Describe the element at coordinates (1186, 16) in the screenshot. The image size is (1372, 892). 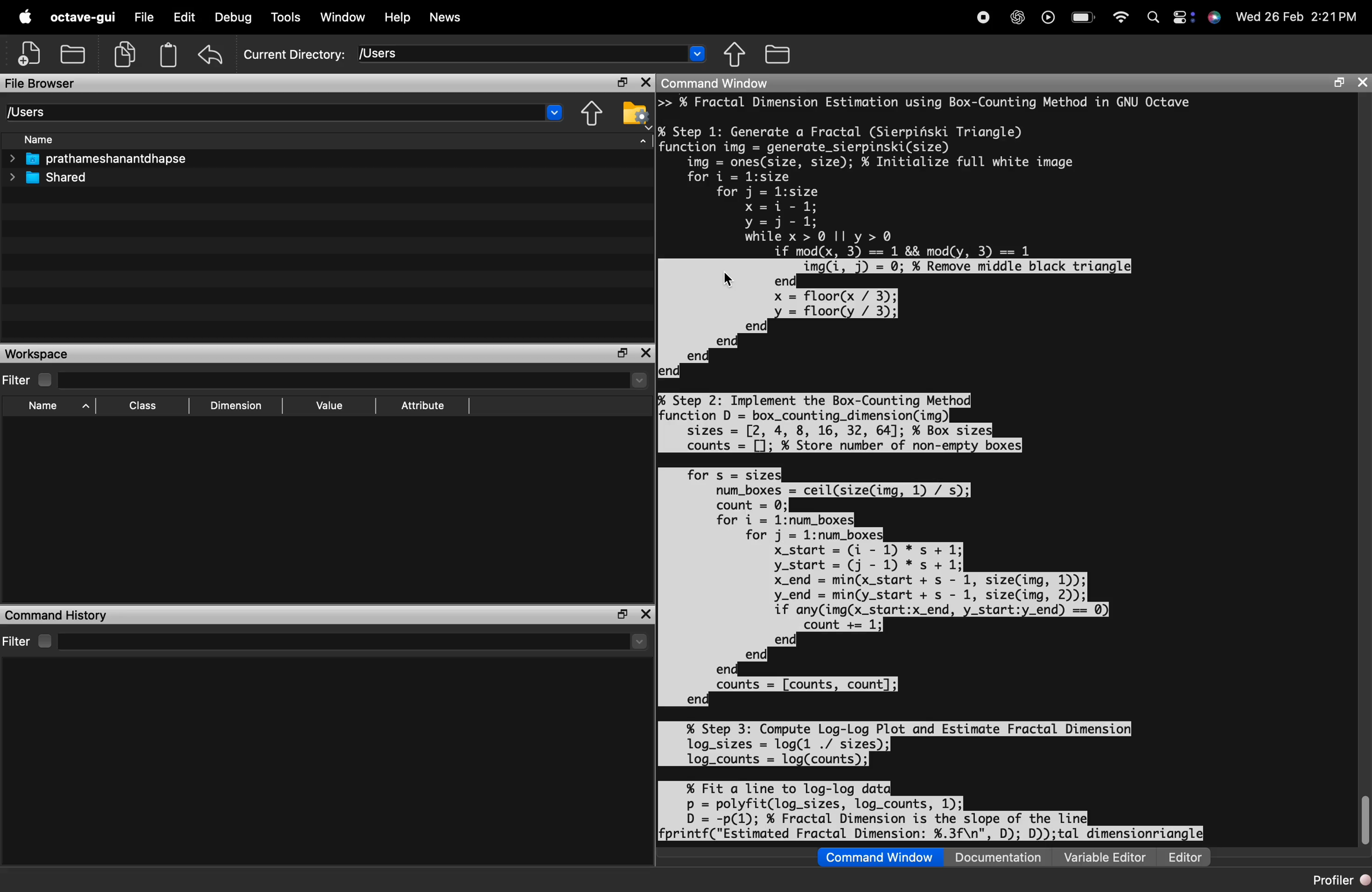
I see `settings` at that location.